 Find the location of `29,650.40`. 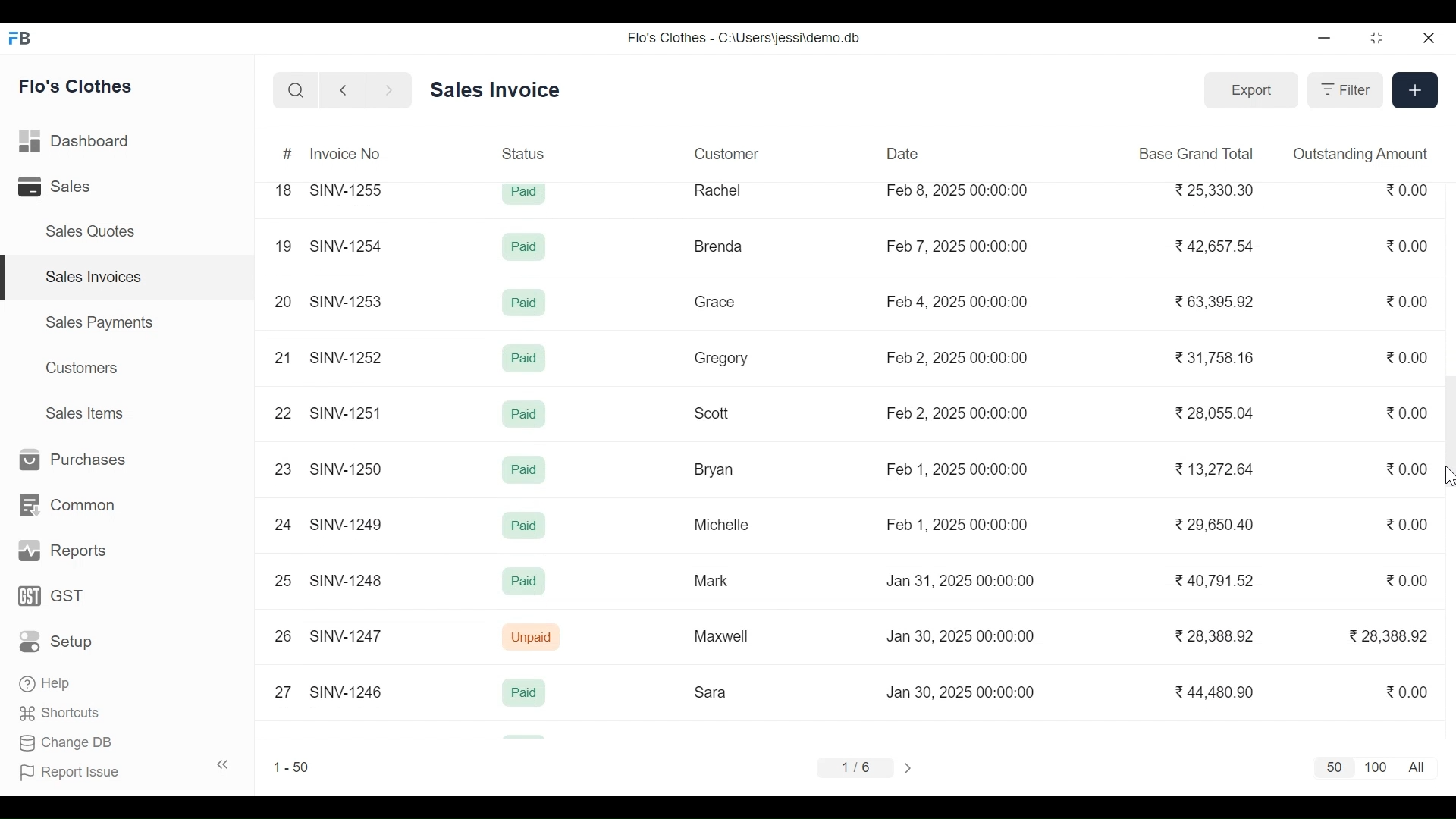

29,650.40 is located at coordinates (1213, 524).